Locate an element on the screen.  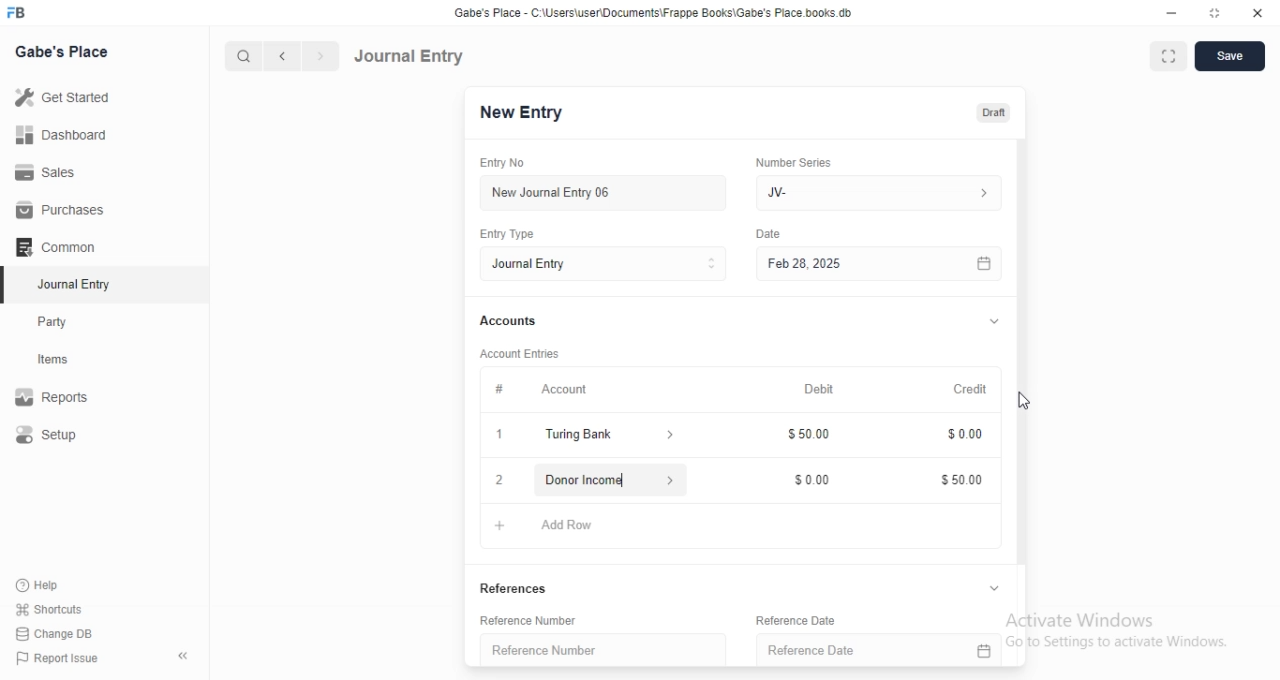
items is located at coordinates (66, 361).